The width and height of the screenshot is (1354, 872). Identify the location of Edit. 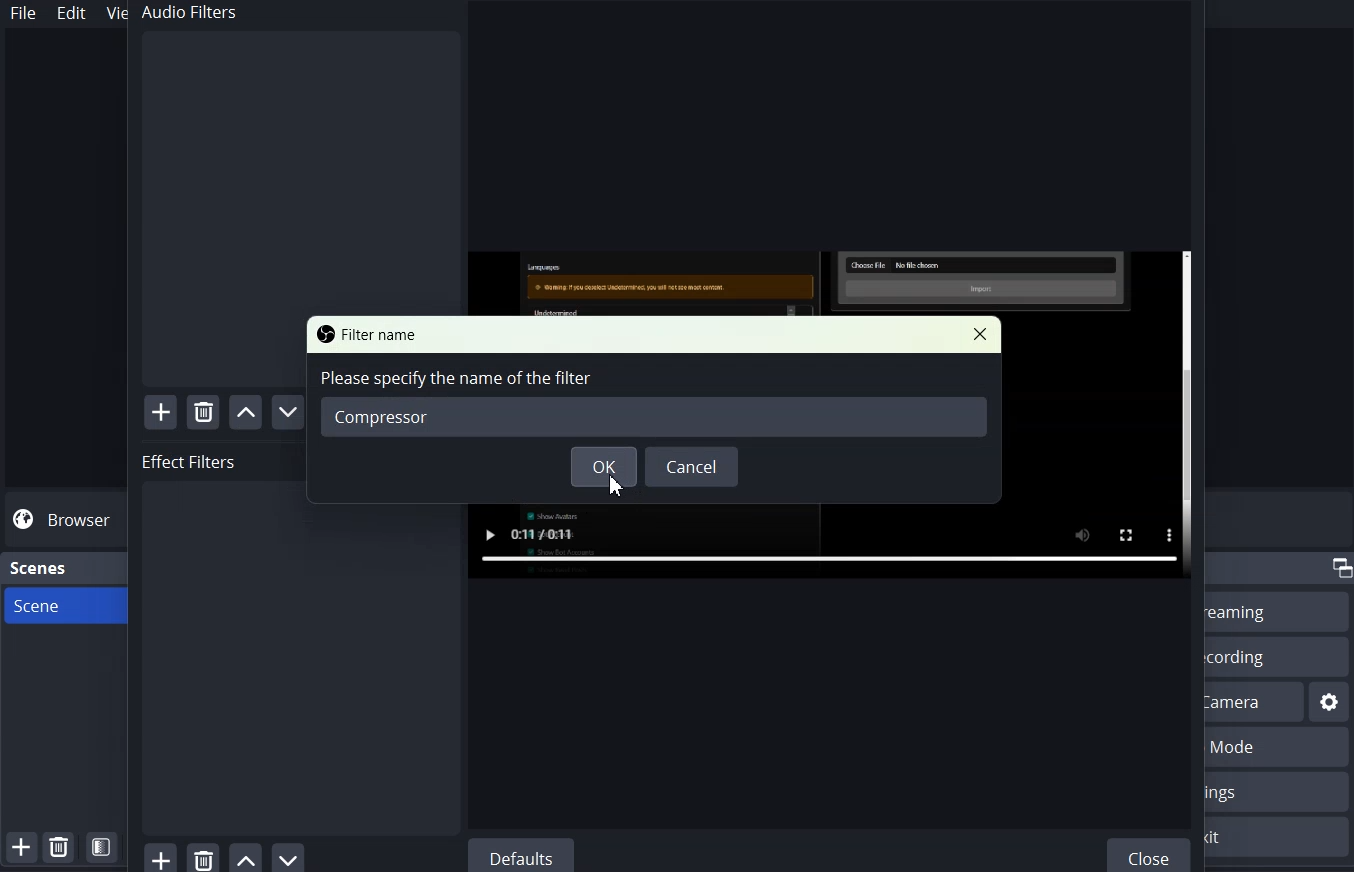
(73, 13).